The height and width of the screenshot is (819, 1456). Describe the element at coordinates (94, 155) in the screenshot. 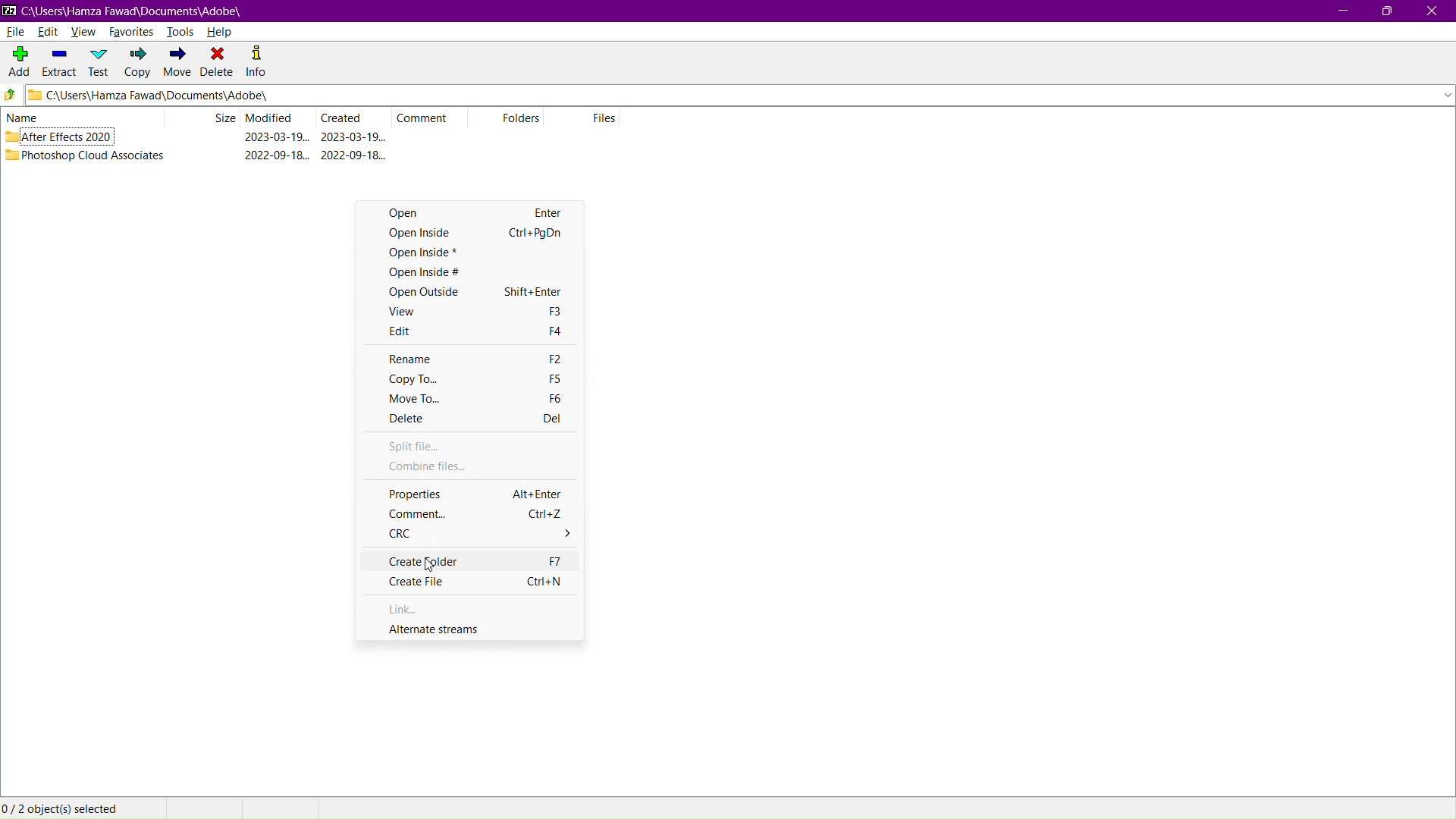

I see `Photoshop Cloud Associates` at that location.